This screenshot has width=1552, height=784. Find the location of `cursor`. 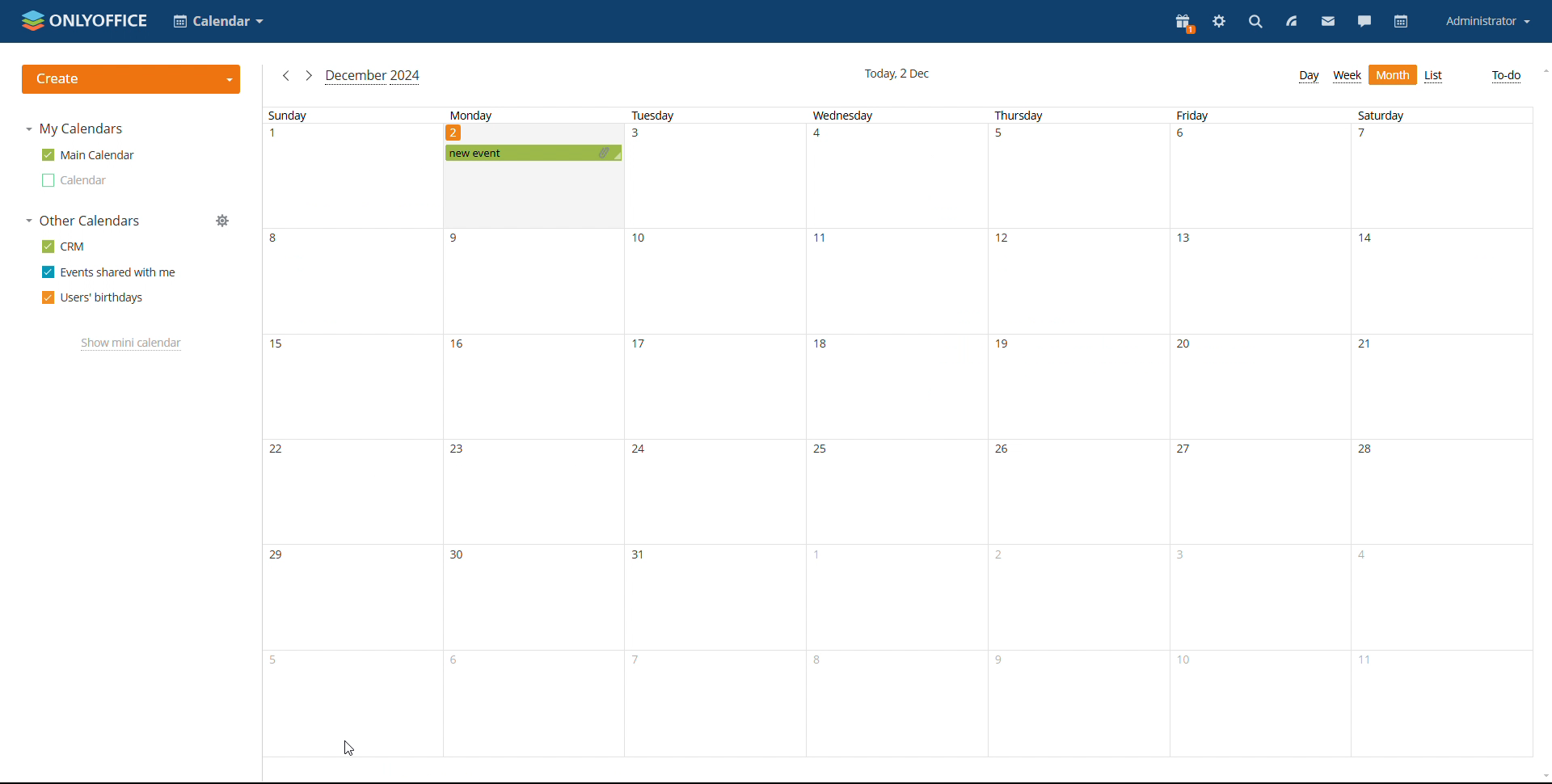

cursor is located at coordinates (349, 748).